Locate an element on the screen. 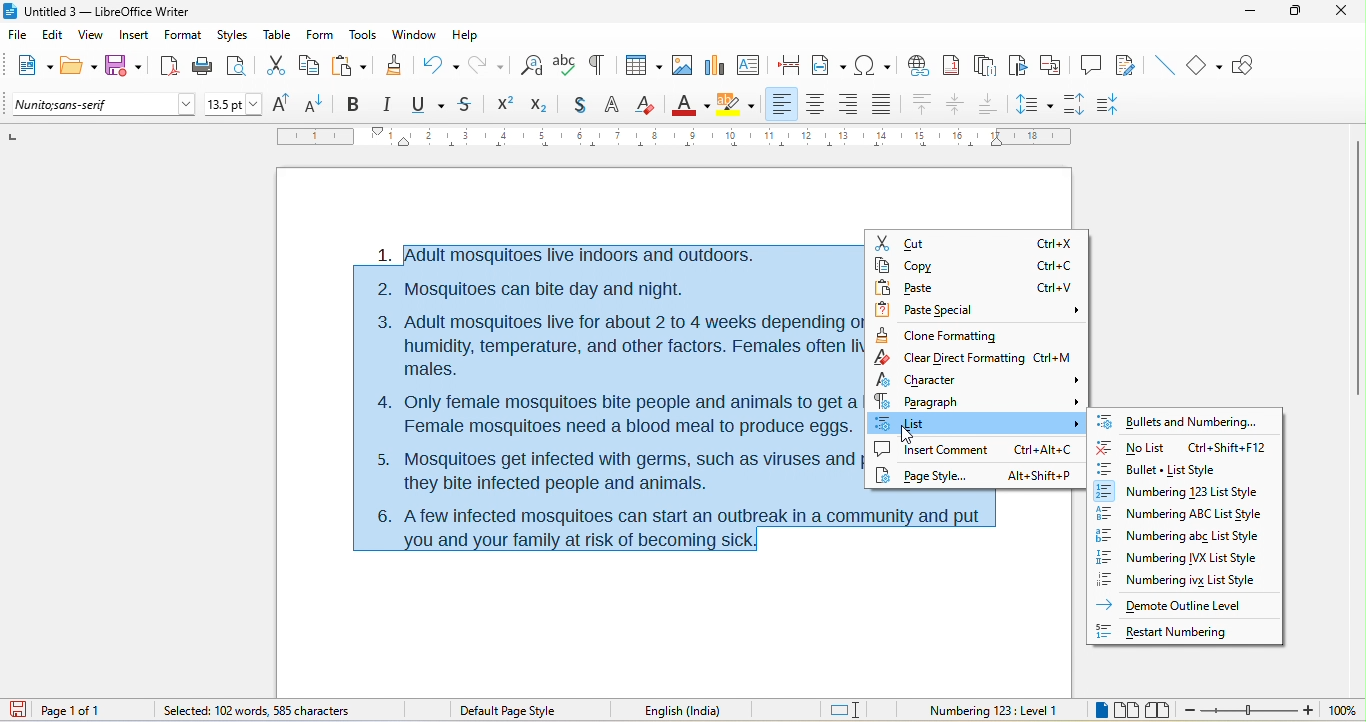 The width and height of the screenshot is (1366, 722). chart is located at coordinates (715, 66).